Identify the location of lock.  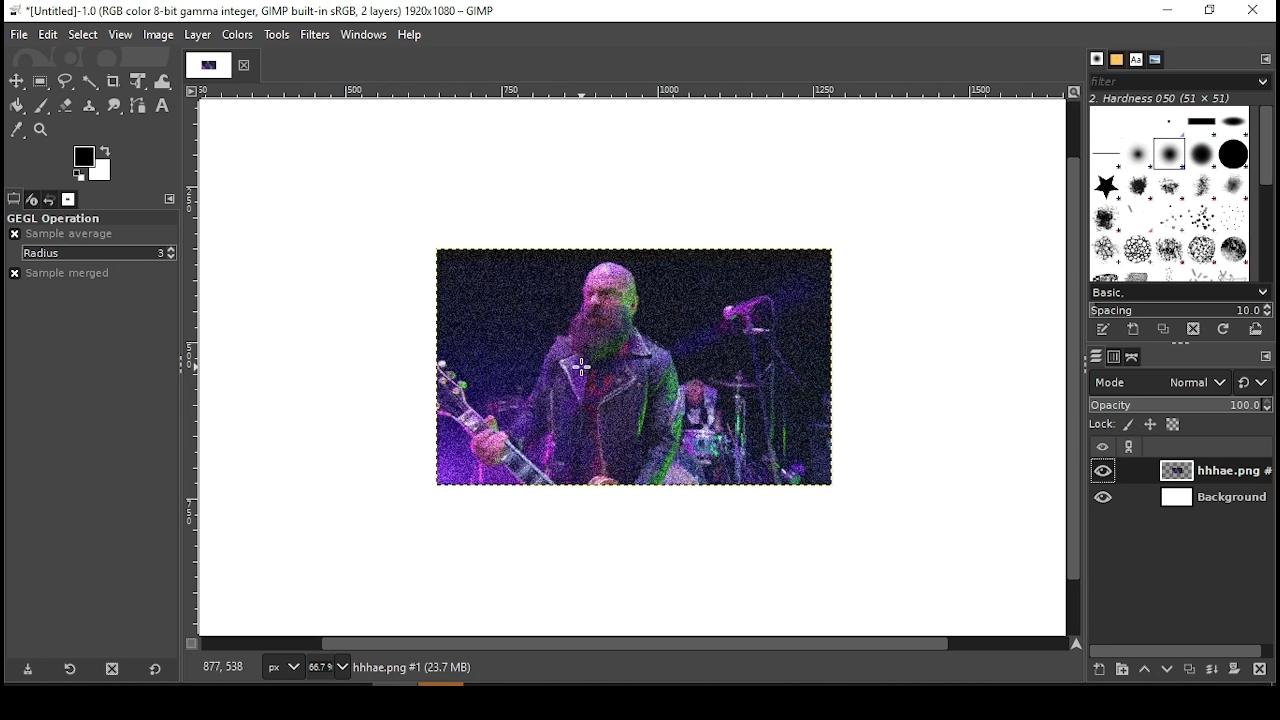
(1100, 425).